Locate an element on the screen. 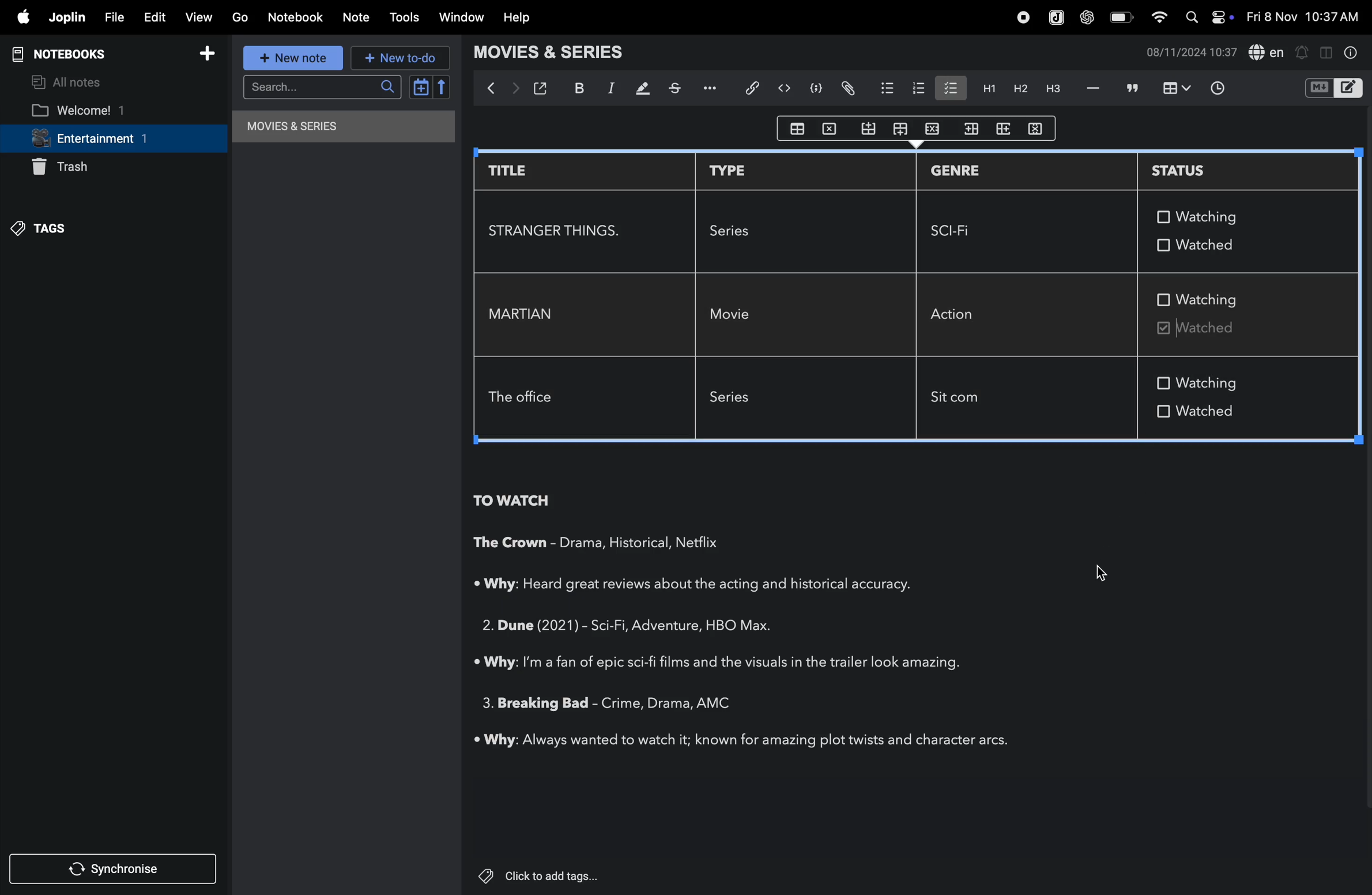 The height and width of the screenshot is (895, 1372). reason to waatch is located at coordinates (723, 661).